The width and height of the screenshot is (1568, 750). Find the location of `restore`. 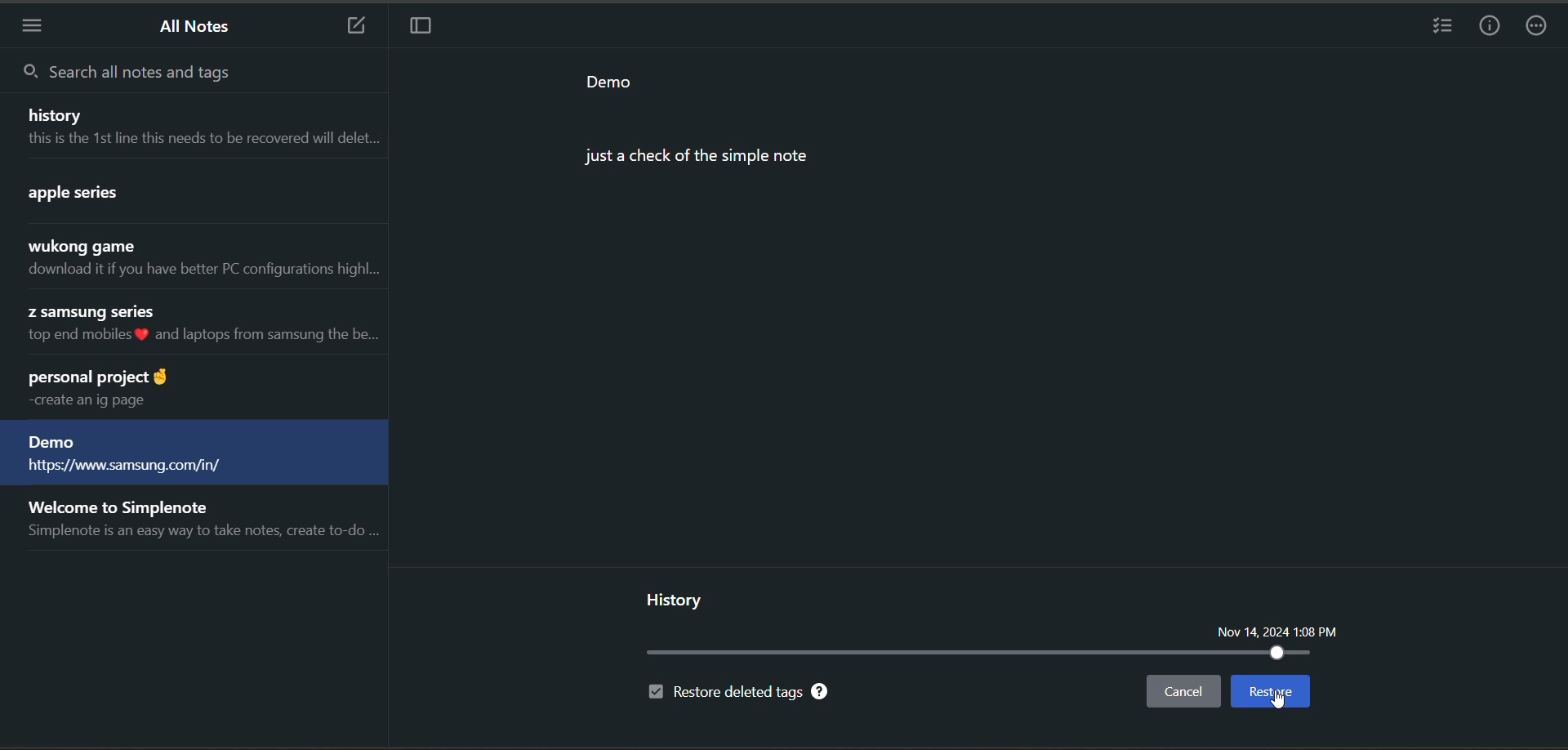

restore is located at coordinates (1268, 691).